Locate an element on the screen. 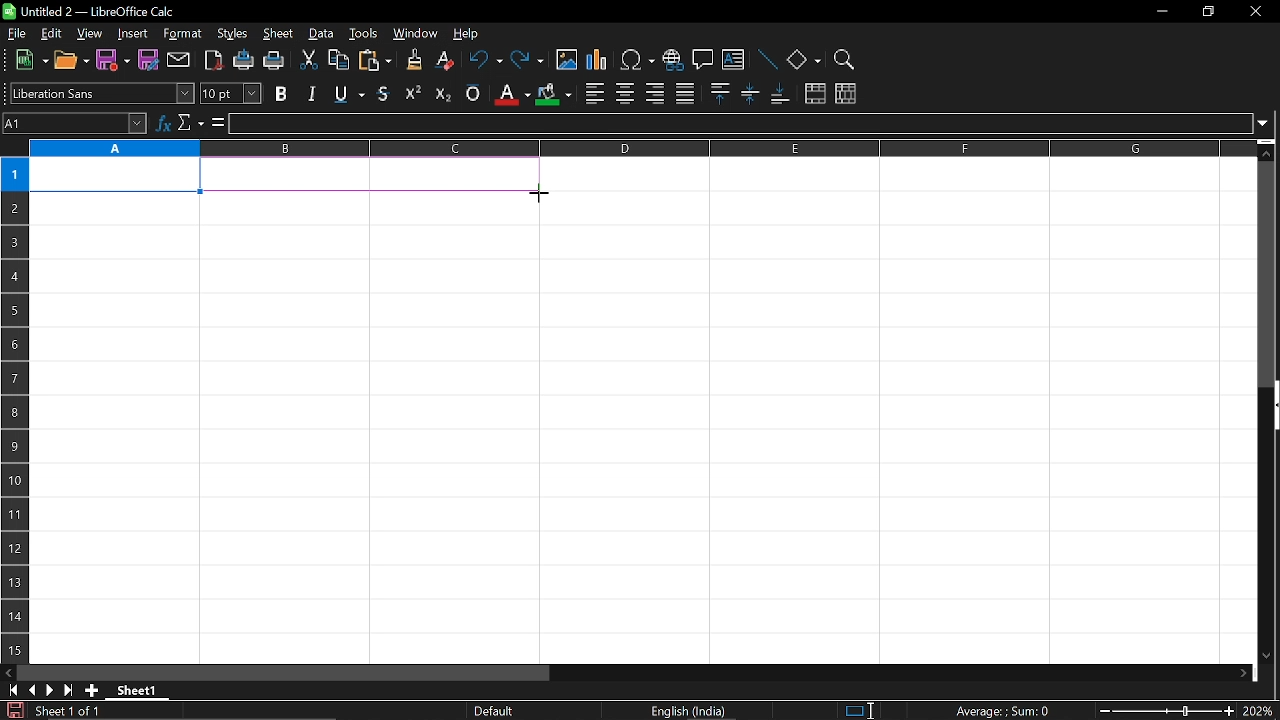  move left is located at coordinates (8, 673).